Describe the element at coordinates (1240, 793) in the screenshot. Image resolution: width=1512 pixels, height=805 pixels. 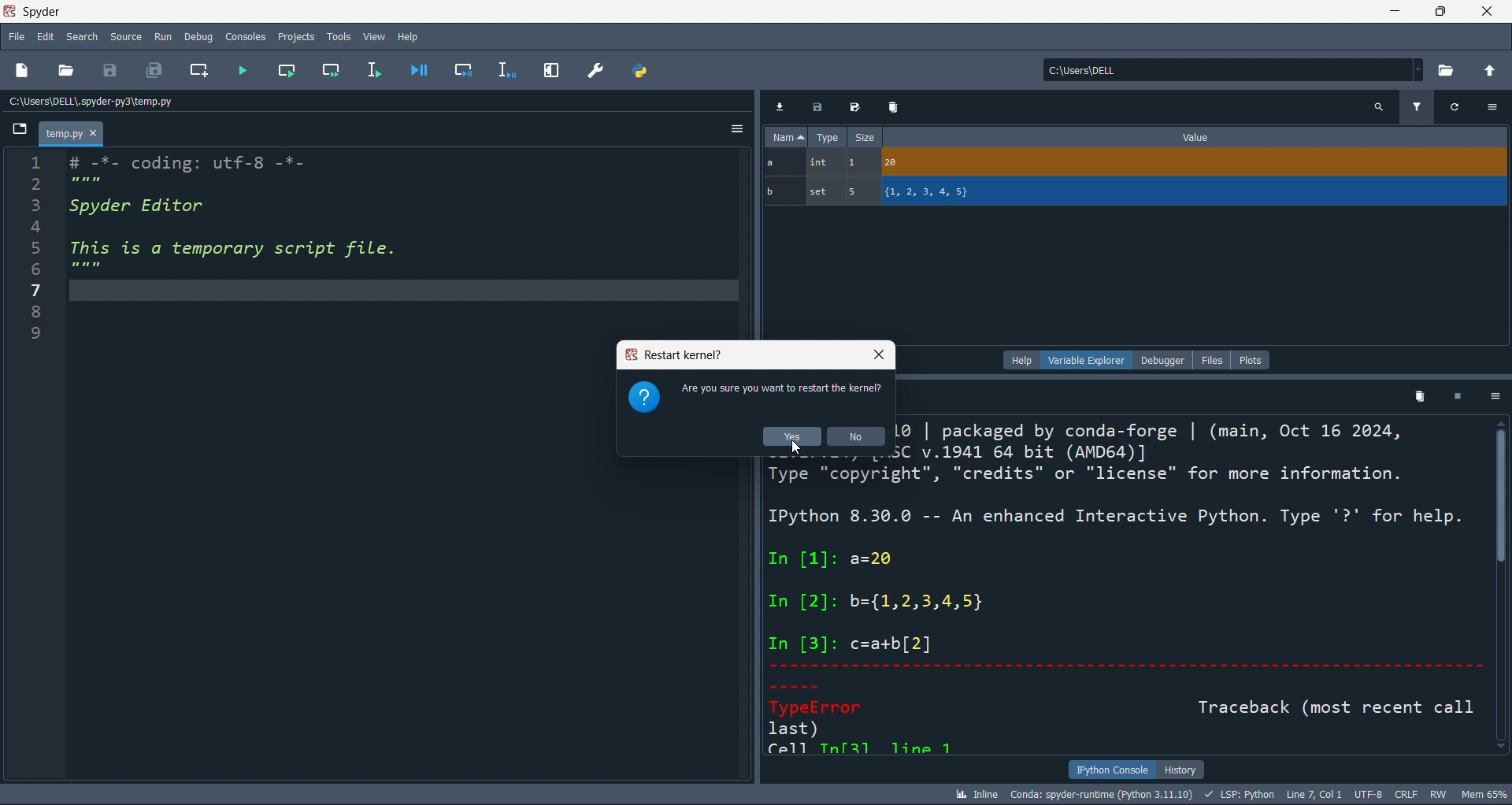
I see `LSP: PYTHON` at that location.